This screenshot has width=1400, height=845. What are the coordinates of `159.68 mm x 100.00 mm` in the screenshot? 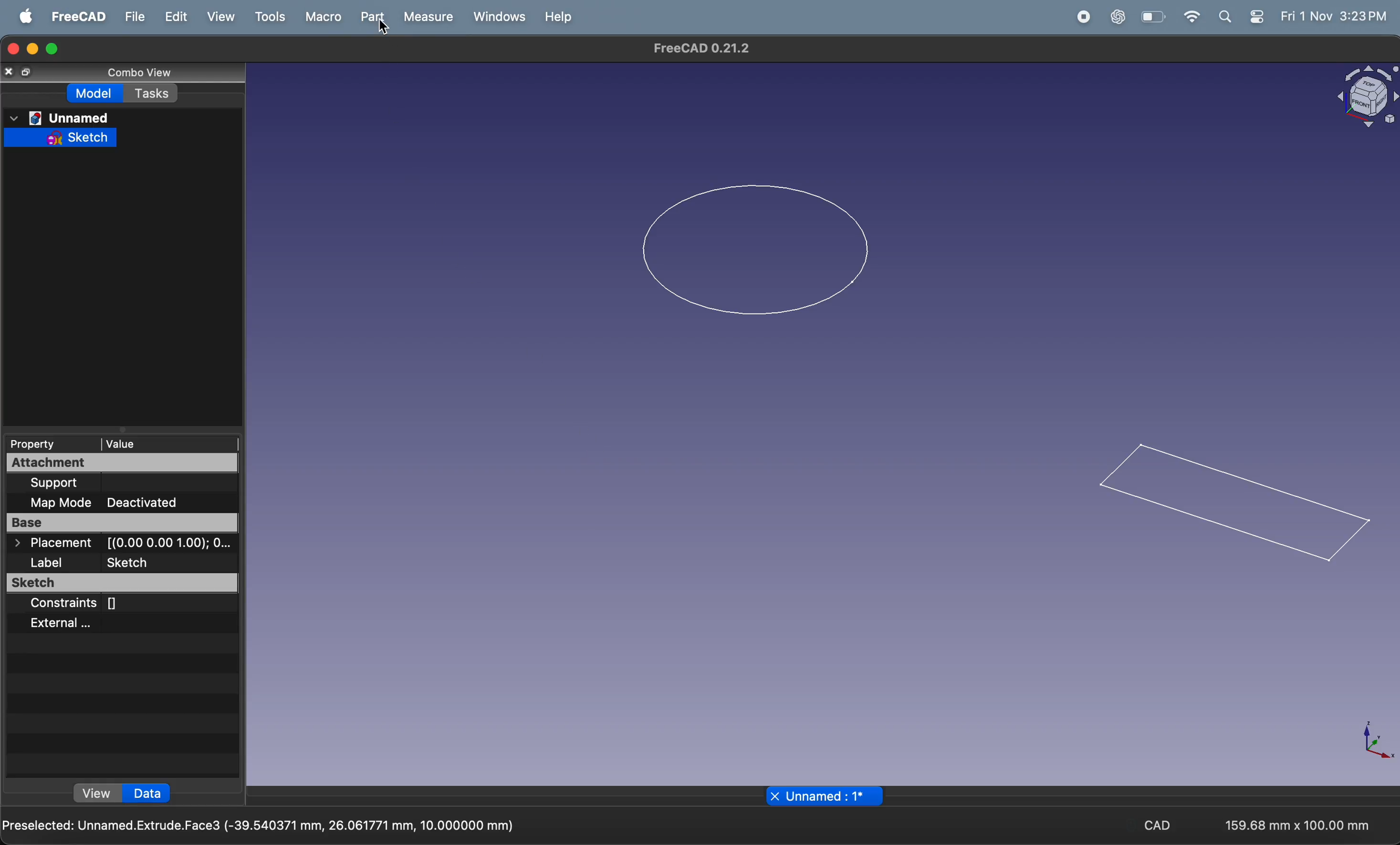 It's located at (1288, 825).